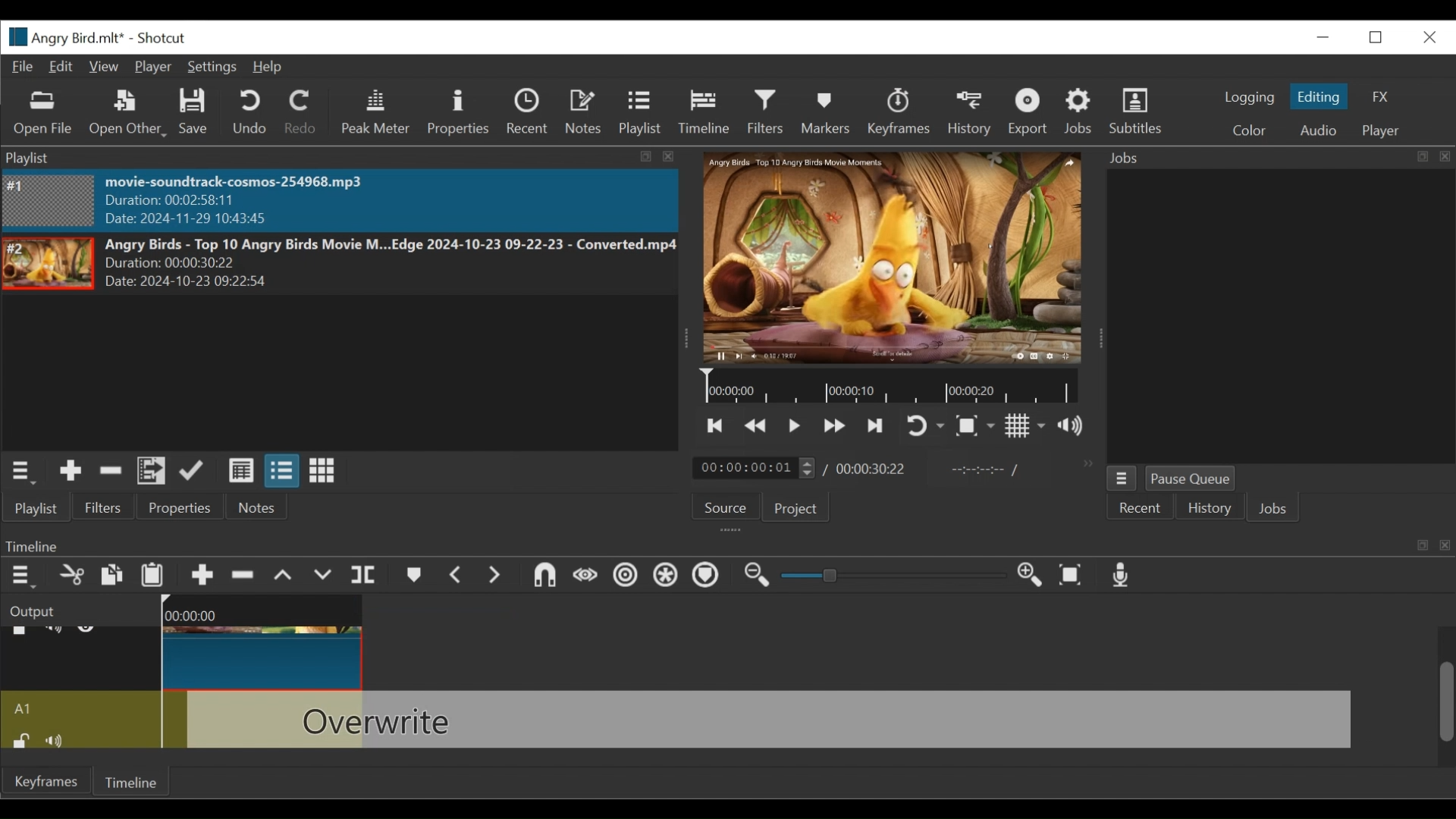 This screenshot has width=1456, height=819. Describe the element at coordinates (49, 264) in the screenshot. I see `Image` at that location.